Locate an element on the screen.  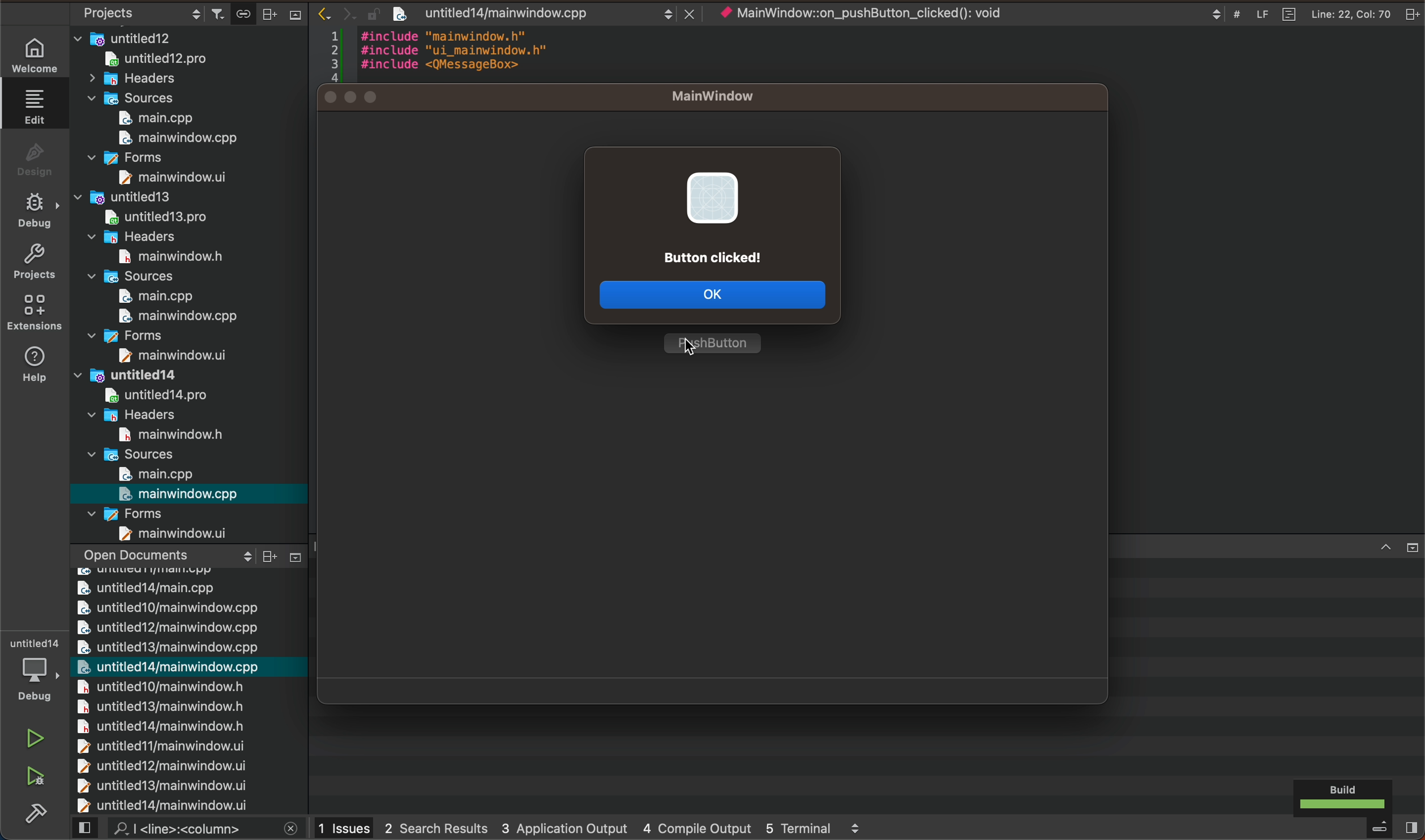
message box is located at coordinates (714, 211).